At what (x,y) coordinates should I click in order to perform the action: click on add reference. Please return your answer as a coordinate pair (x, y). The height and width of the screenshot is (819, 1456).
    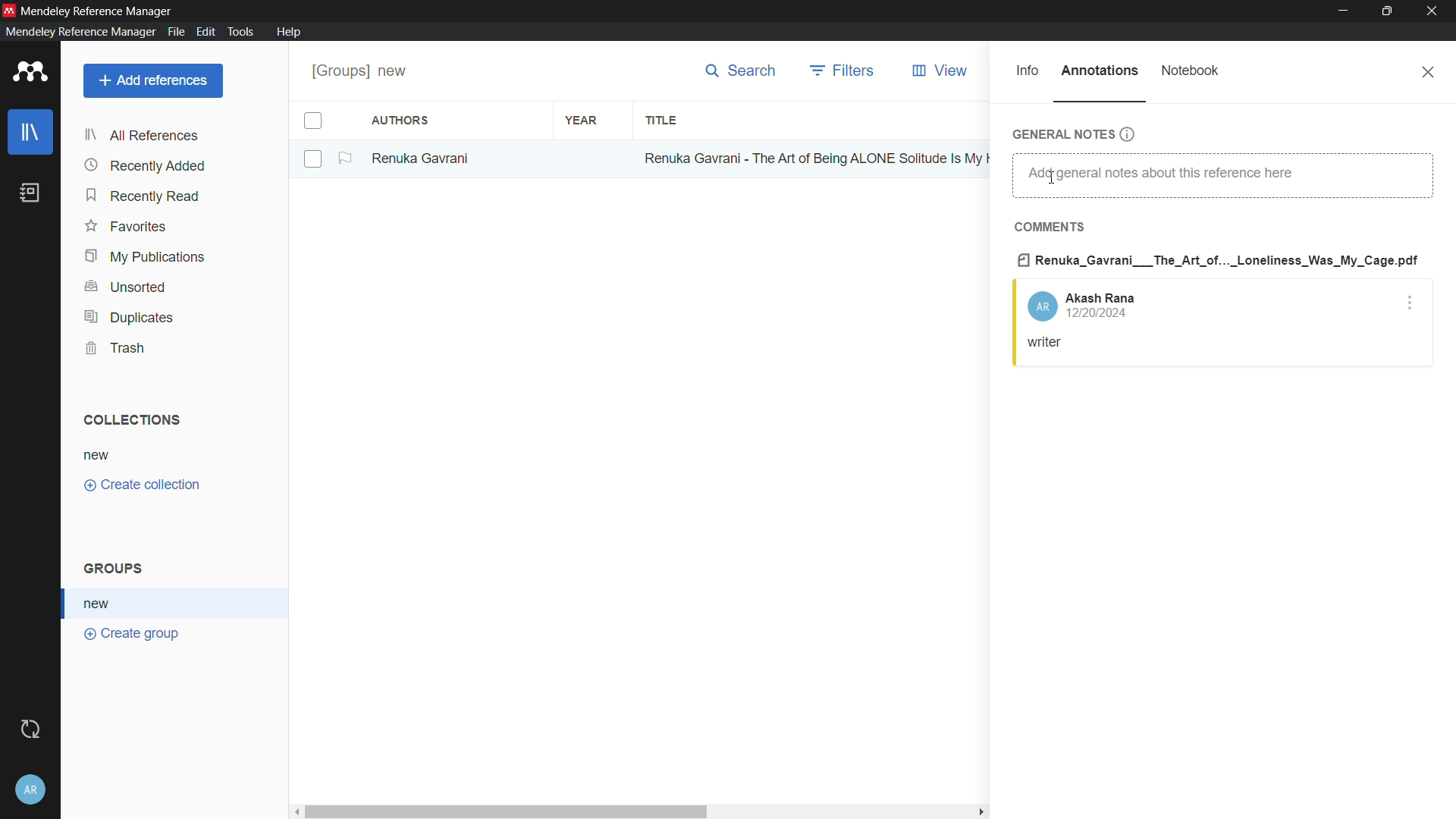
    Looking at the image, I should click on (154, 80).